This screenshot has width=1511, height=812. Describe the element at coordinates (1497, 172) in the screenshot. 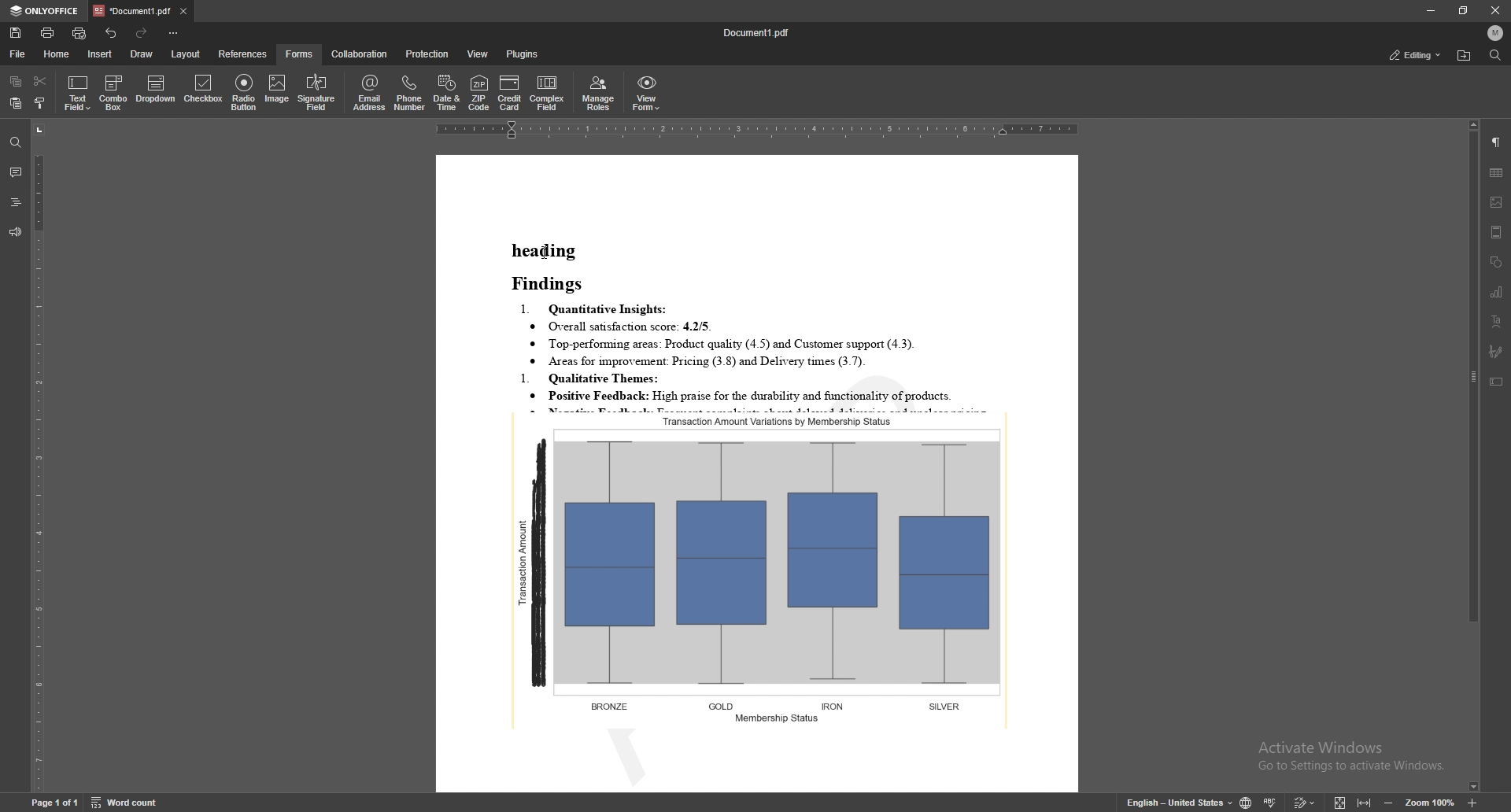

I see `table` at that location.